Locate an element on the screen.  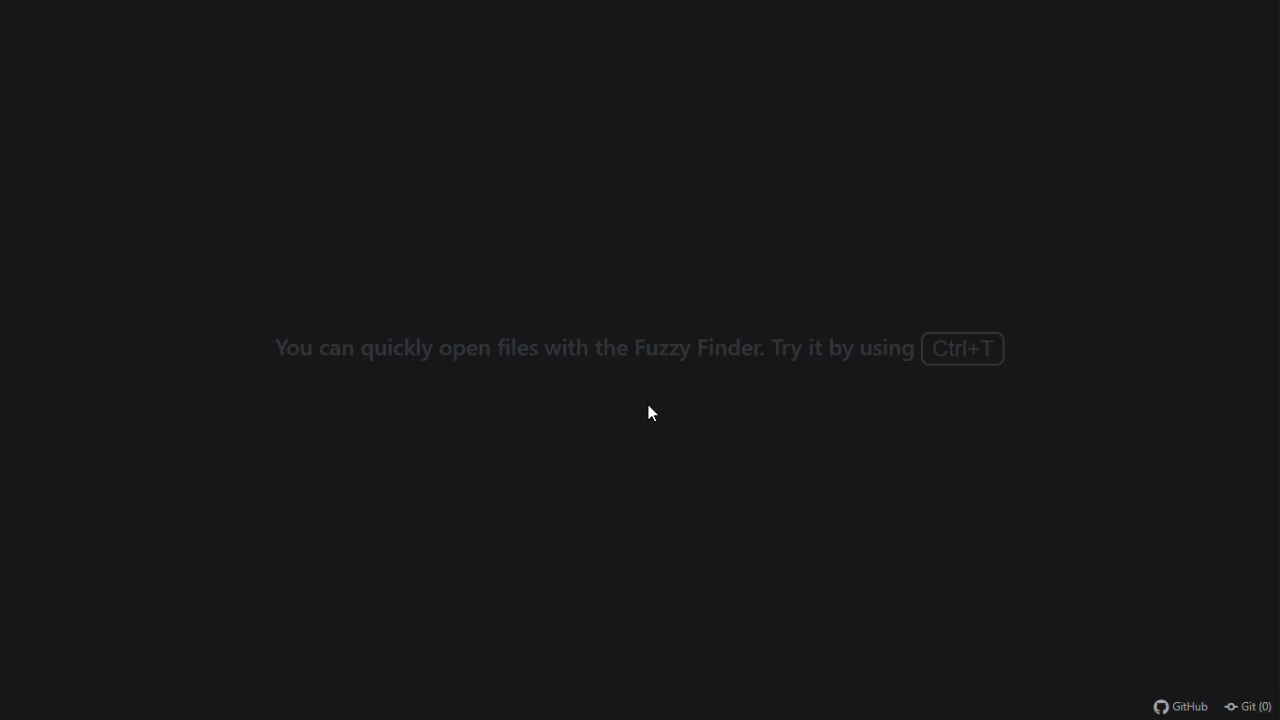
cursor is located at coordinates (652, 413).